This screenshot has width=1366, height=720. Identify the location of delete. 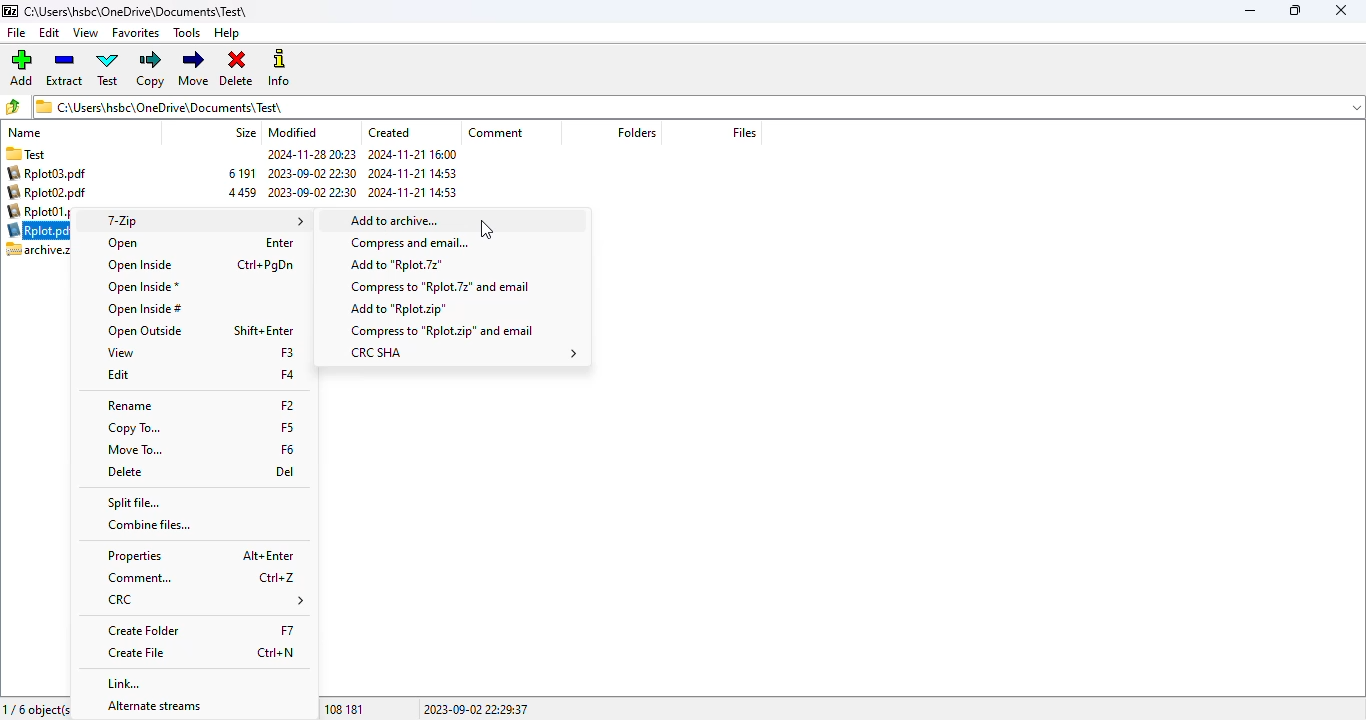
(126, 472).